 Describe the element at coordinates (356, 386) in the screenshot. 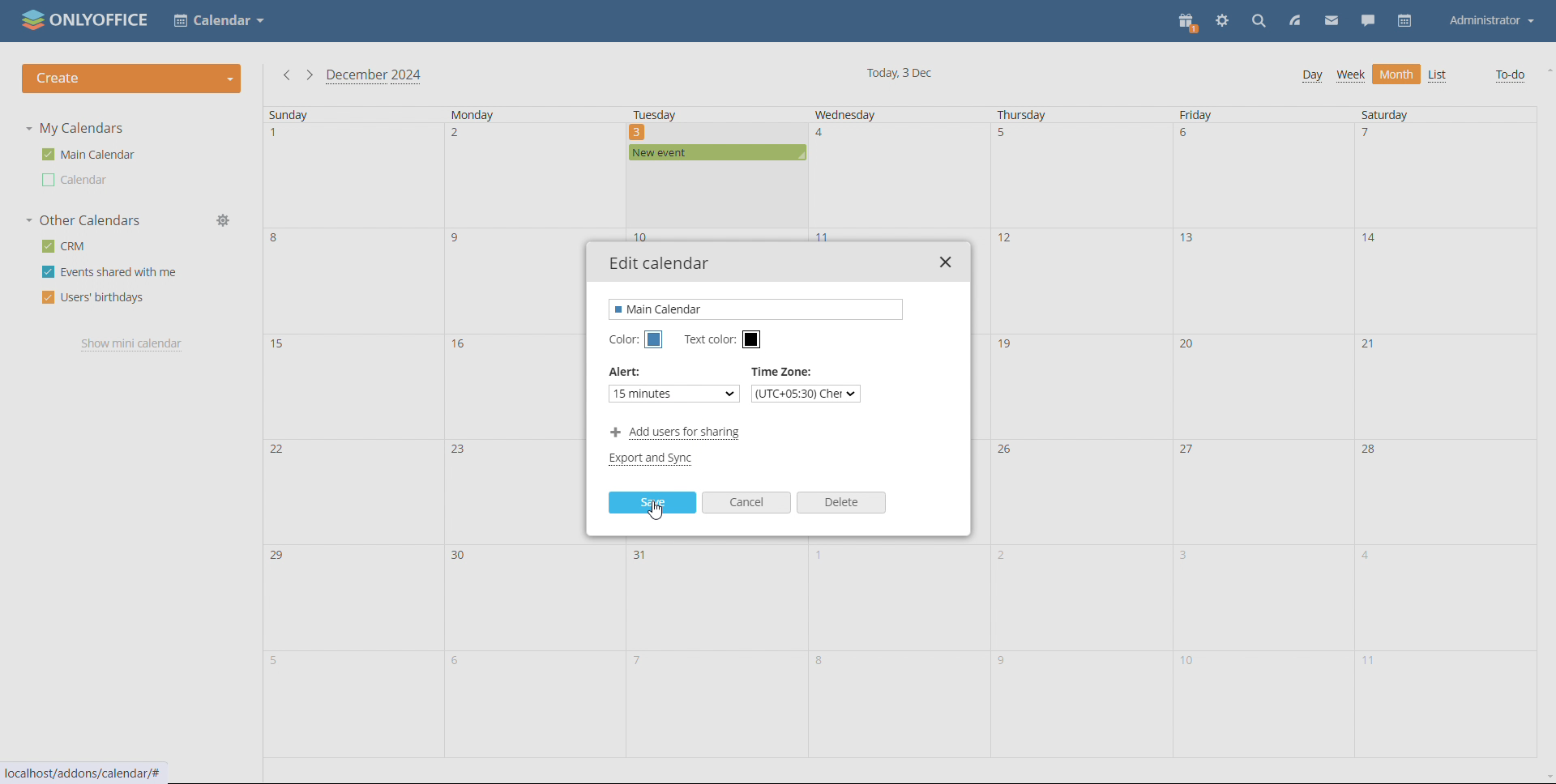

I see `date` at that location.